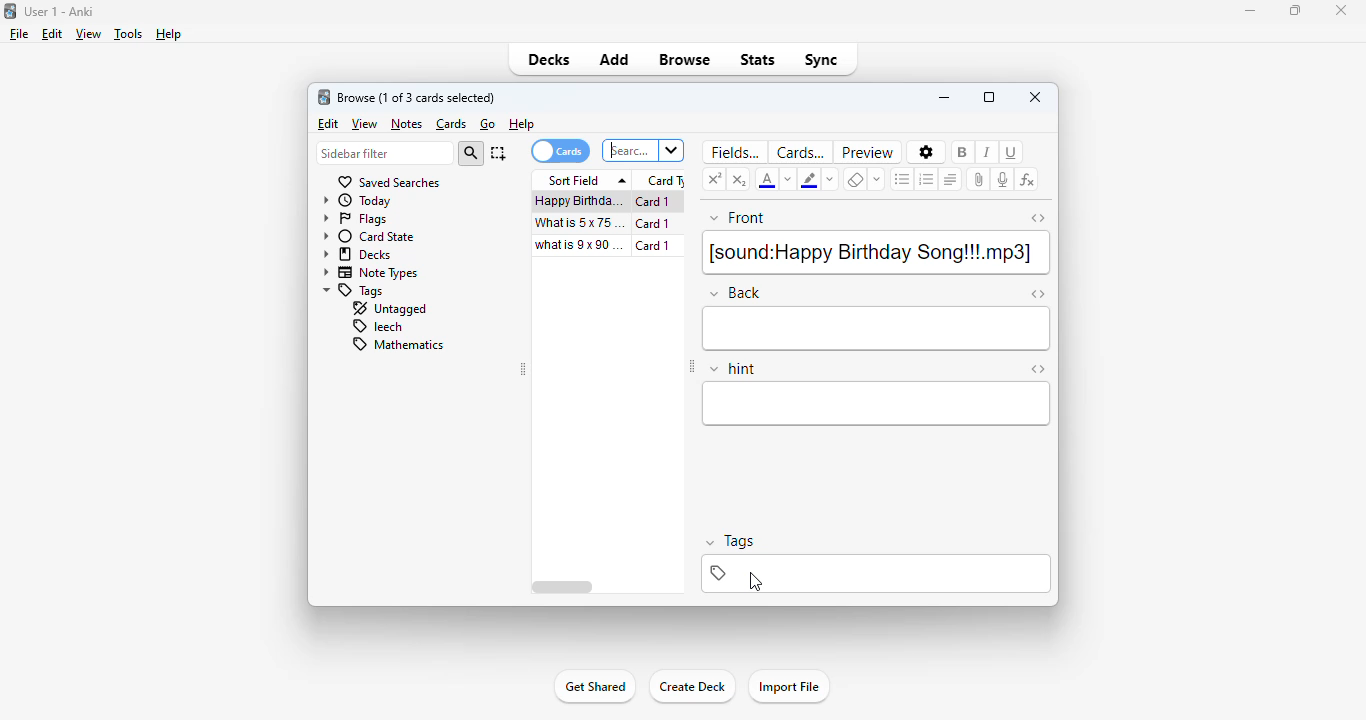  I want to click on hint, so click(733, 369).